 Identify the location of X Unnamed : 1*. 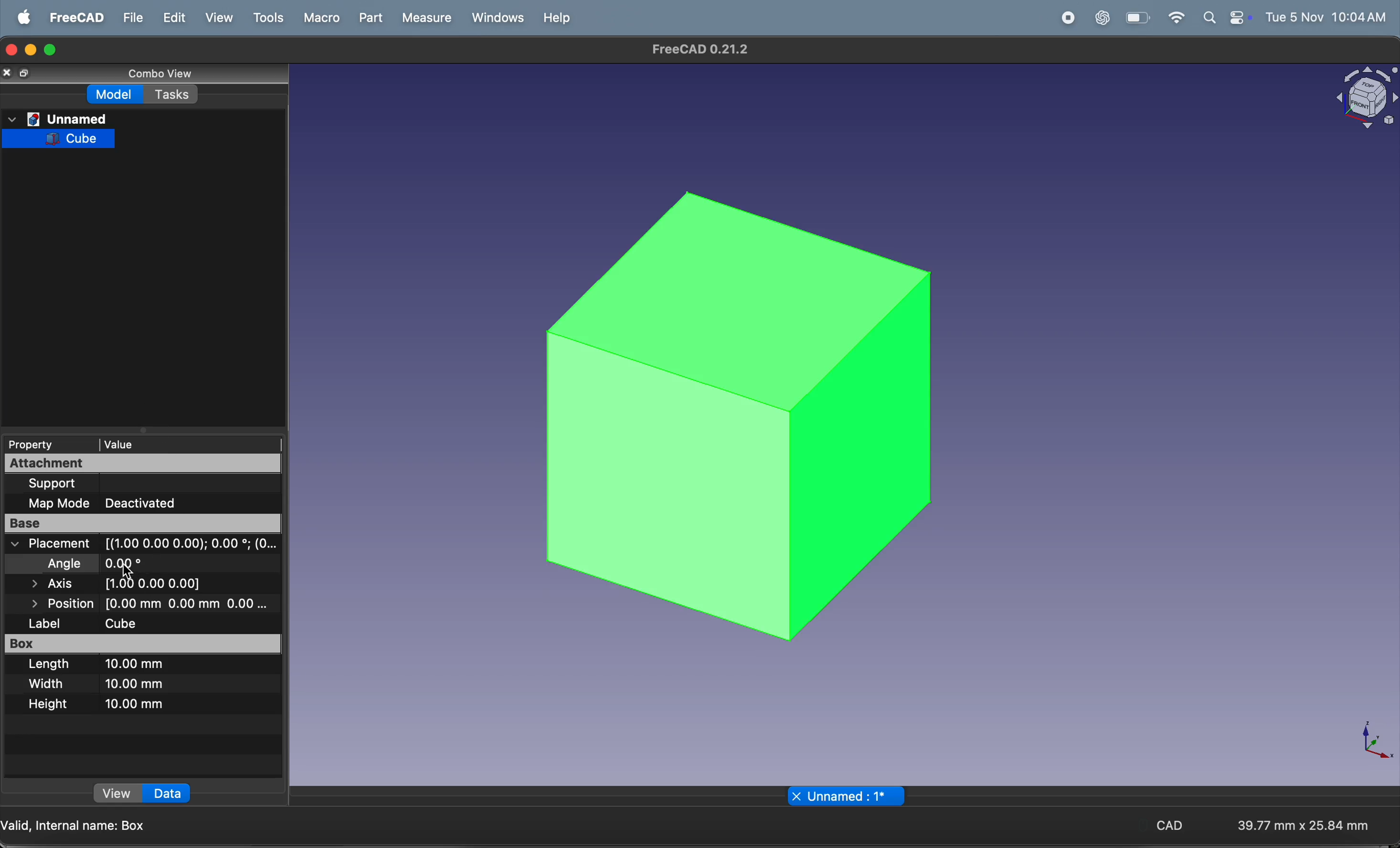
(849, 797).